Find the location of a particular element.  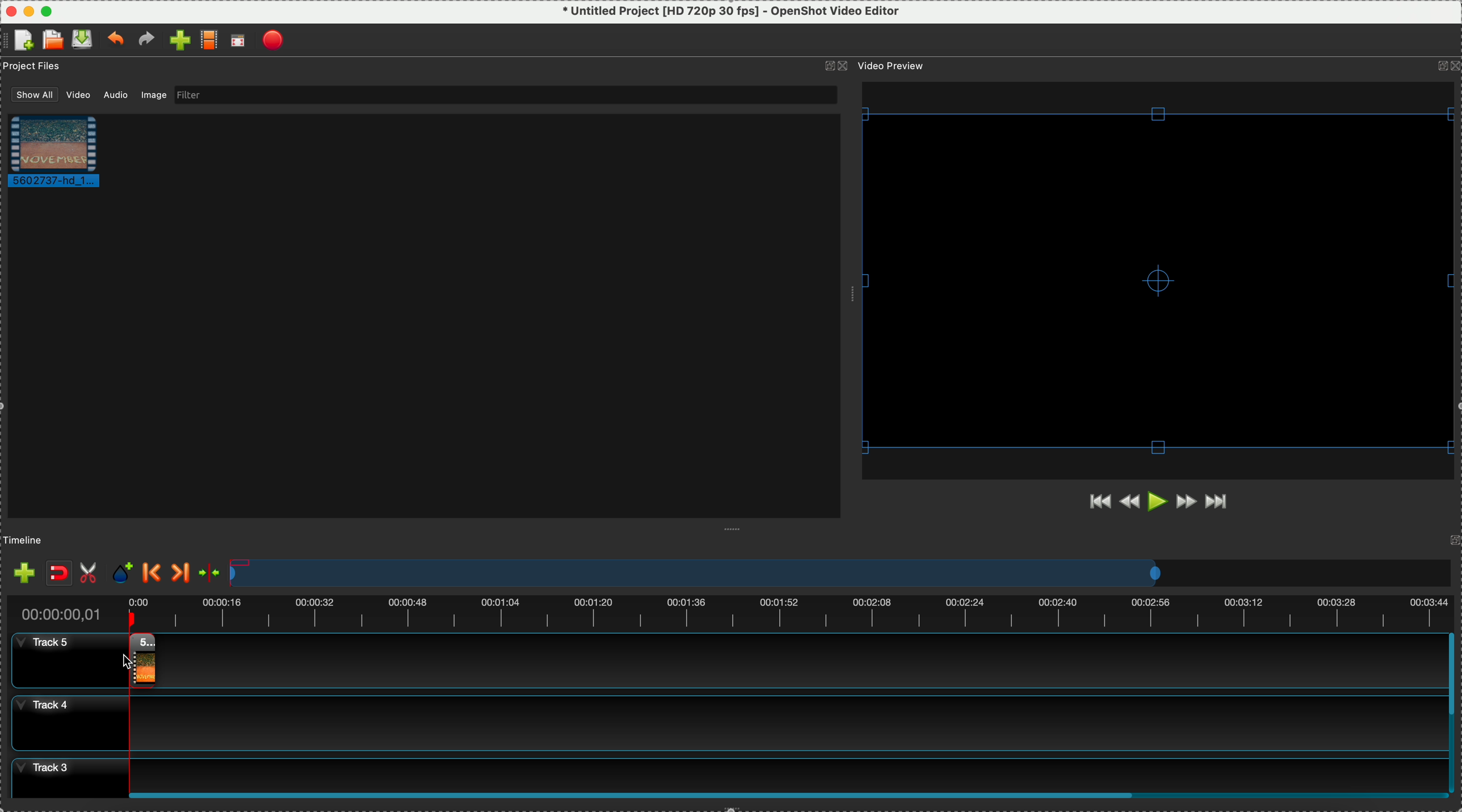

video preview is located at coordinates (1162, 281).